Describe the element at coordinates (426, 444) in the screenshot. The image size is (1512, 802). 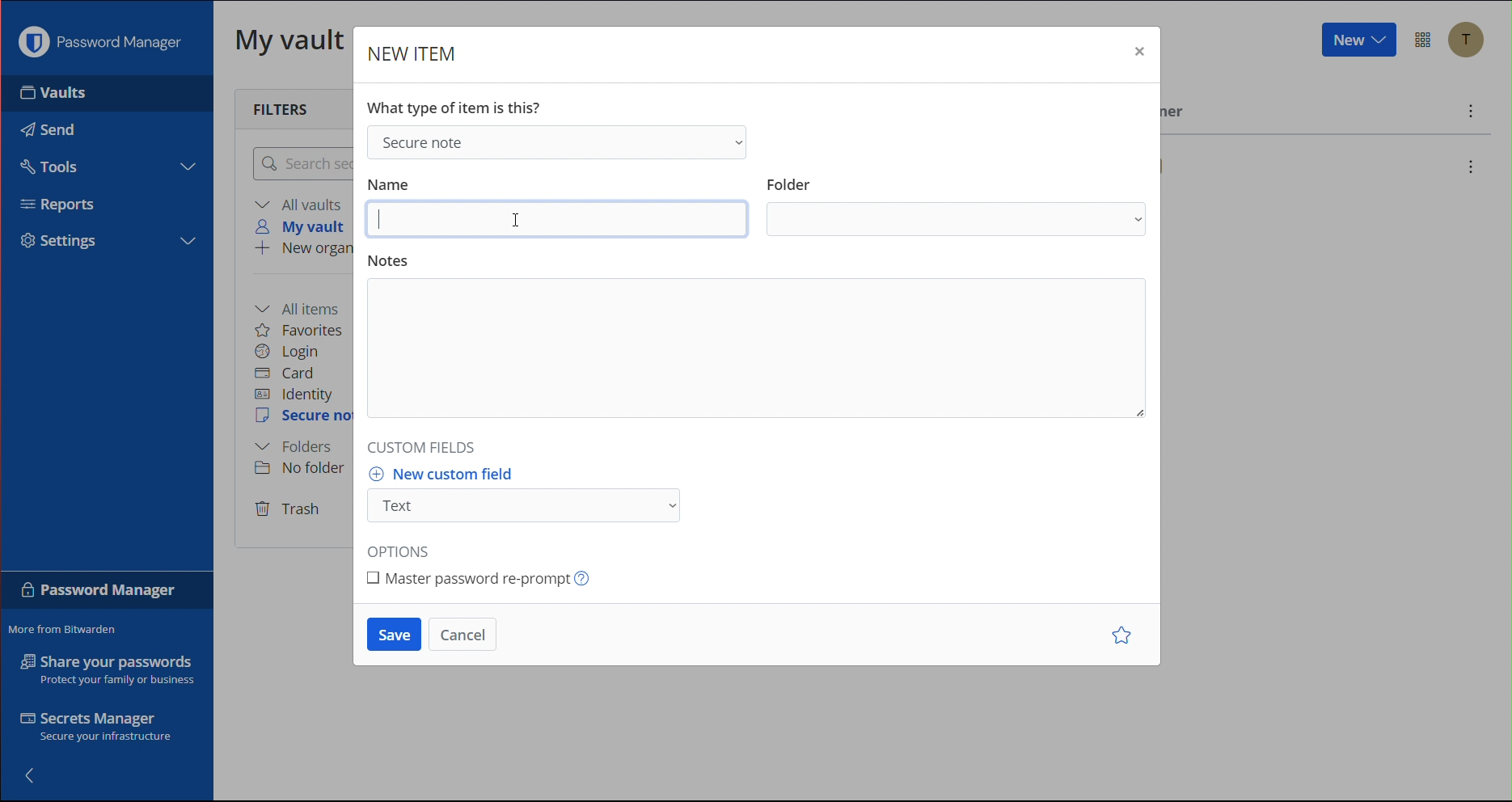
I see `Custom Fields` at that location.